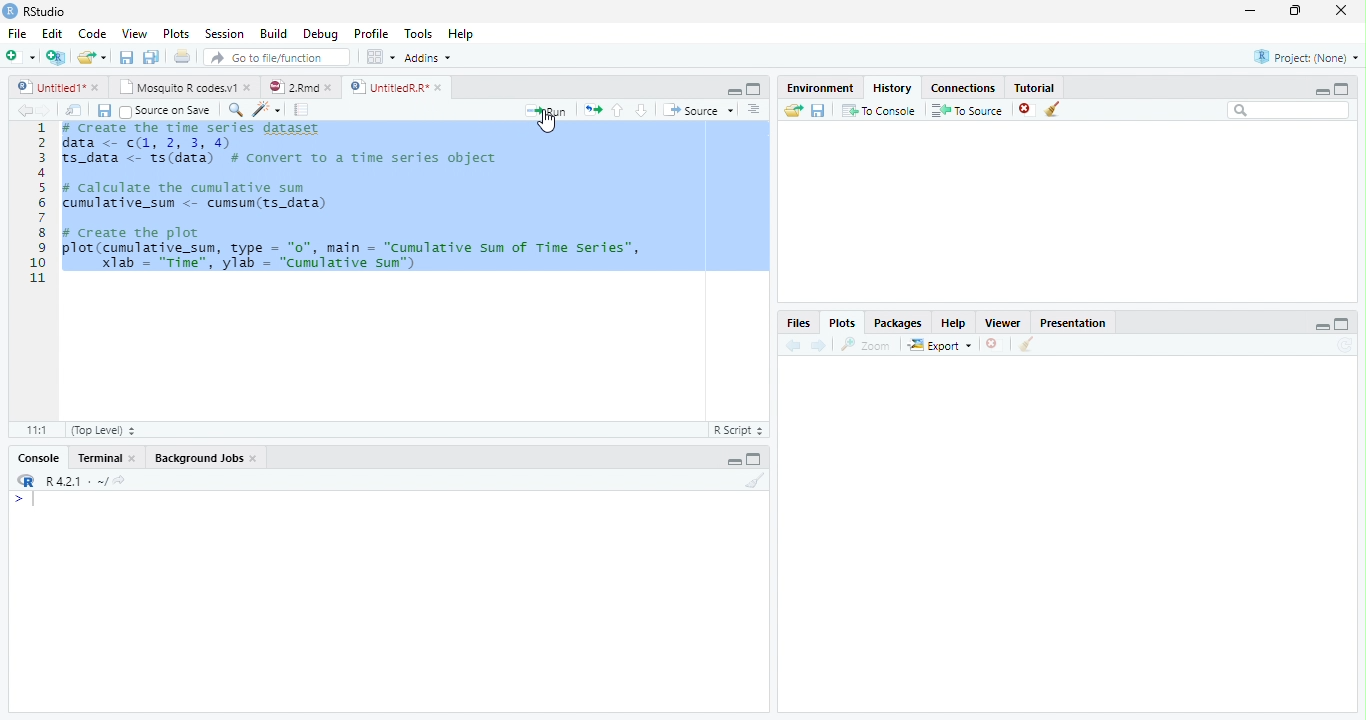 This screenshot has height=720, width=1366. Describe the element at coordinates (187, 86) in the screenshot. I see `Mosquito R codes` at that location.